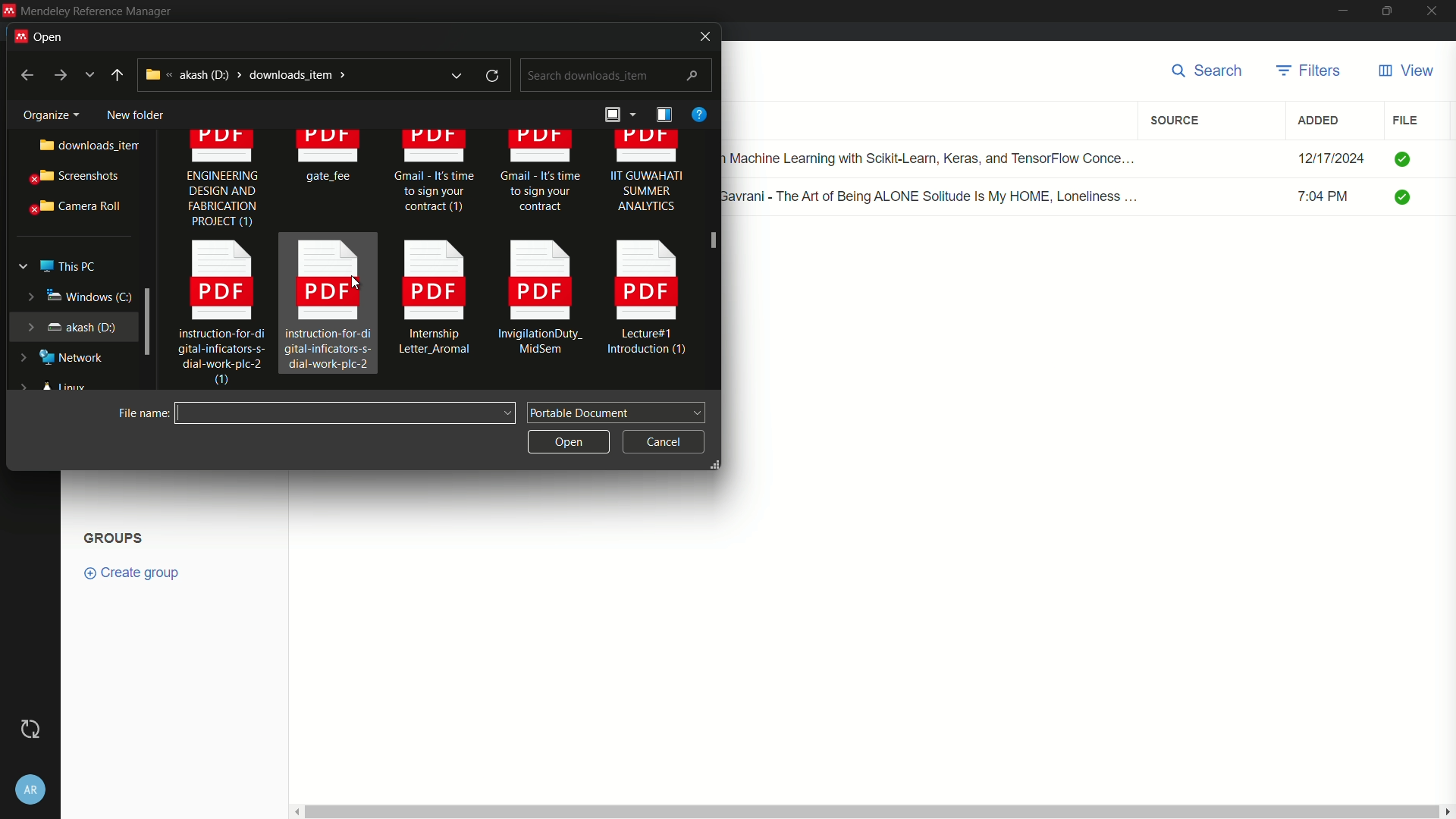 Image resolution: width=1456 pixels, height=819 pixels. What do you see at coordinates (118, 75) in the screenshot?
I see `up to` at bounding box center [118, 75].